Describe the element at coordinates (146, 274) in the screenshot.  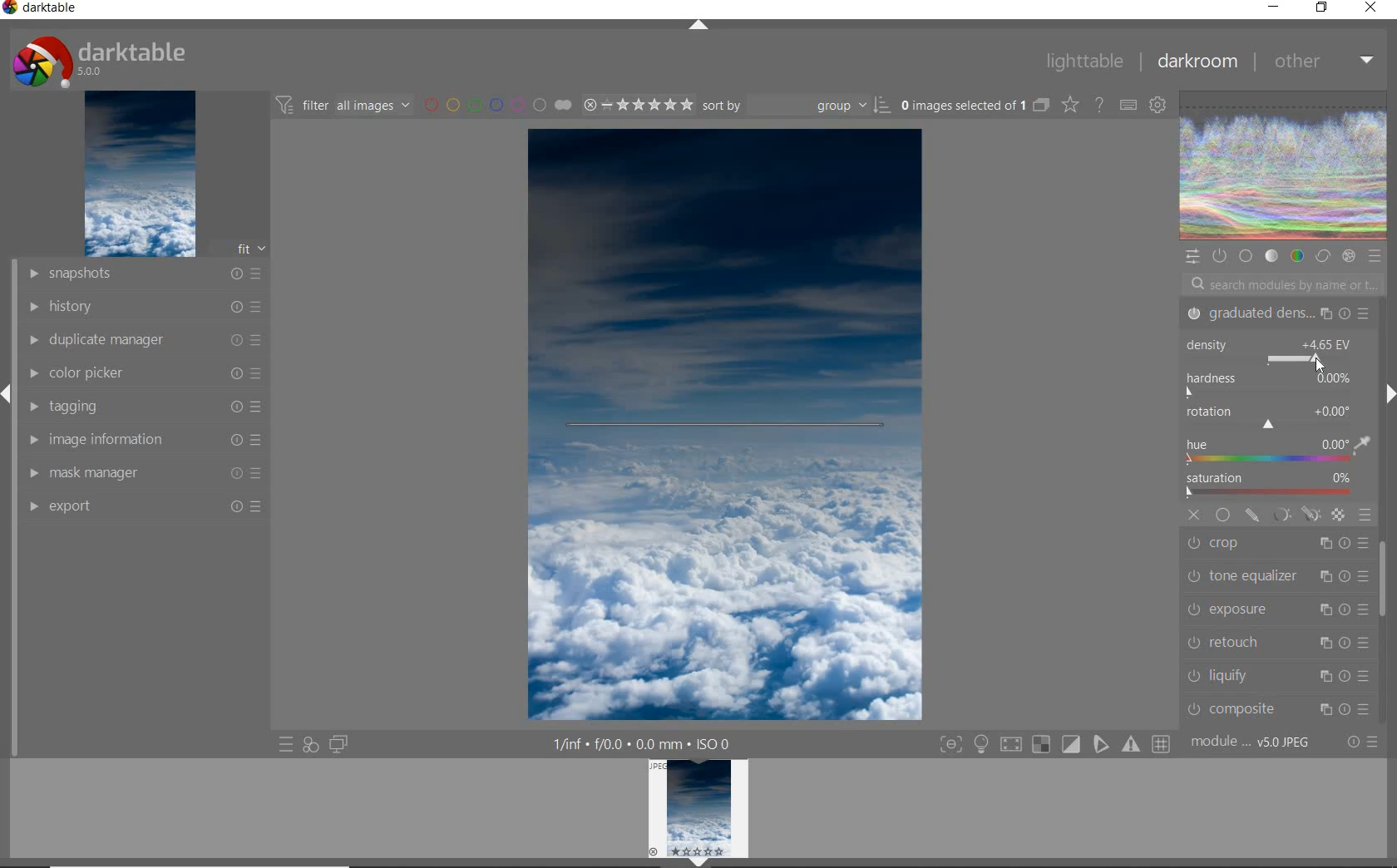
I see `SNAPSHOTS` at that location.